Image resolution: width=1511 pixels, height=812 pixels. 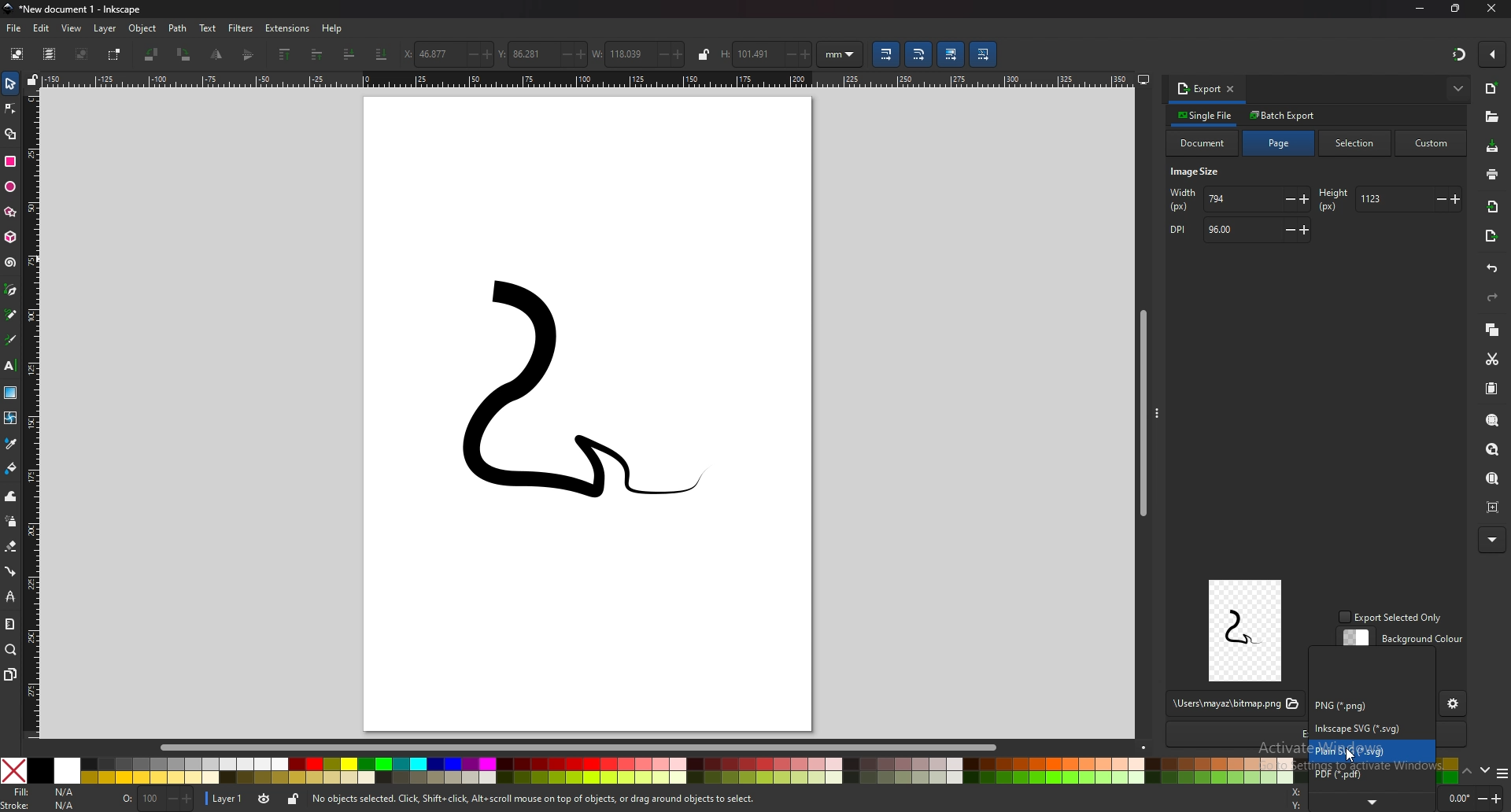 What do you see at coordinates (1493, 269) in the screenshot?
I see `undo` at bounding box center [1493, 269].